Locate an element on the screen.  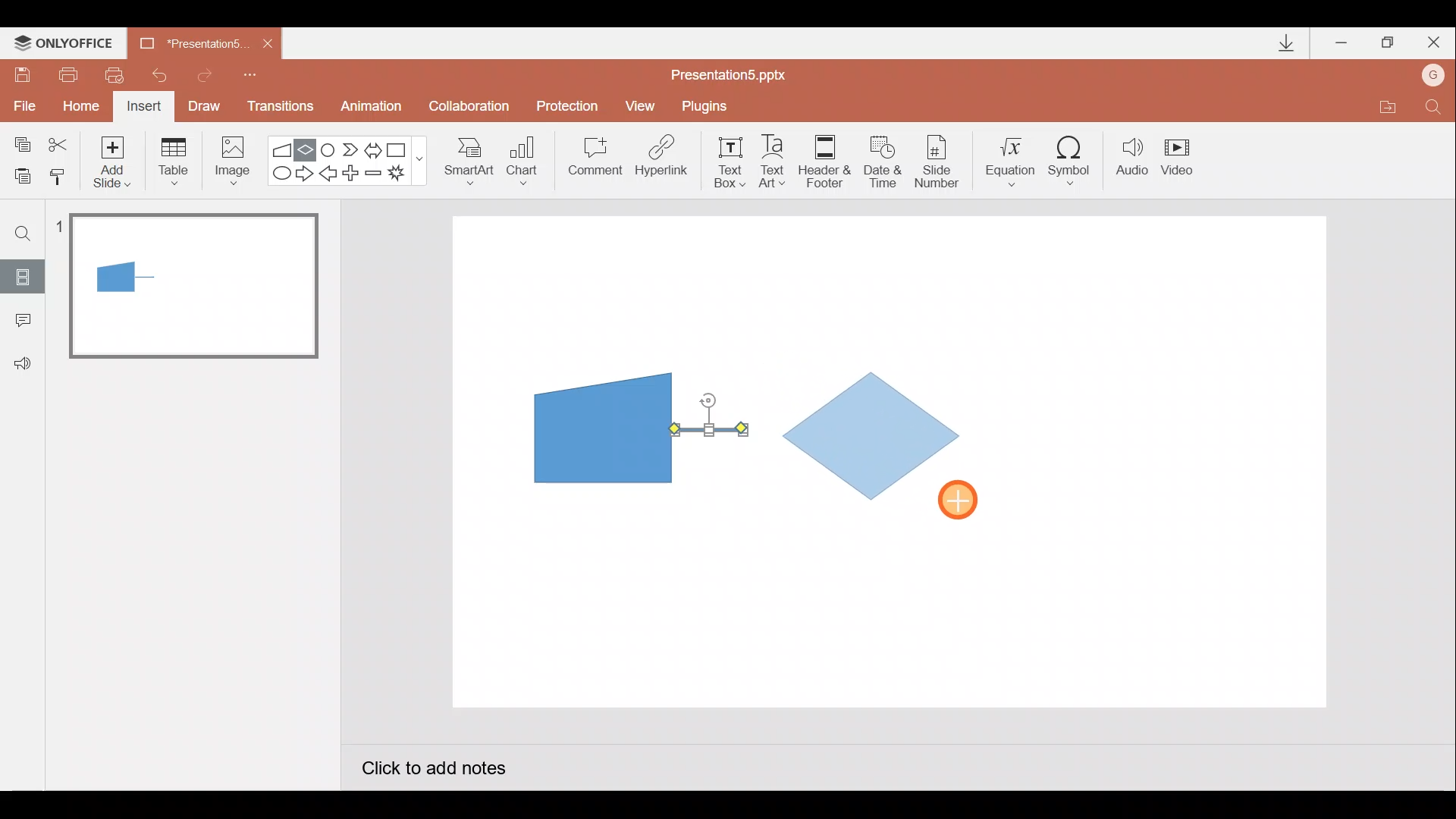
Flow chart-decision is located at coordinates (308, 149).